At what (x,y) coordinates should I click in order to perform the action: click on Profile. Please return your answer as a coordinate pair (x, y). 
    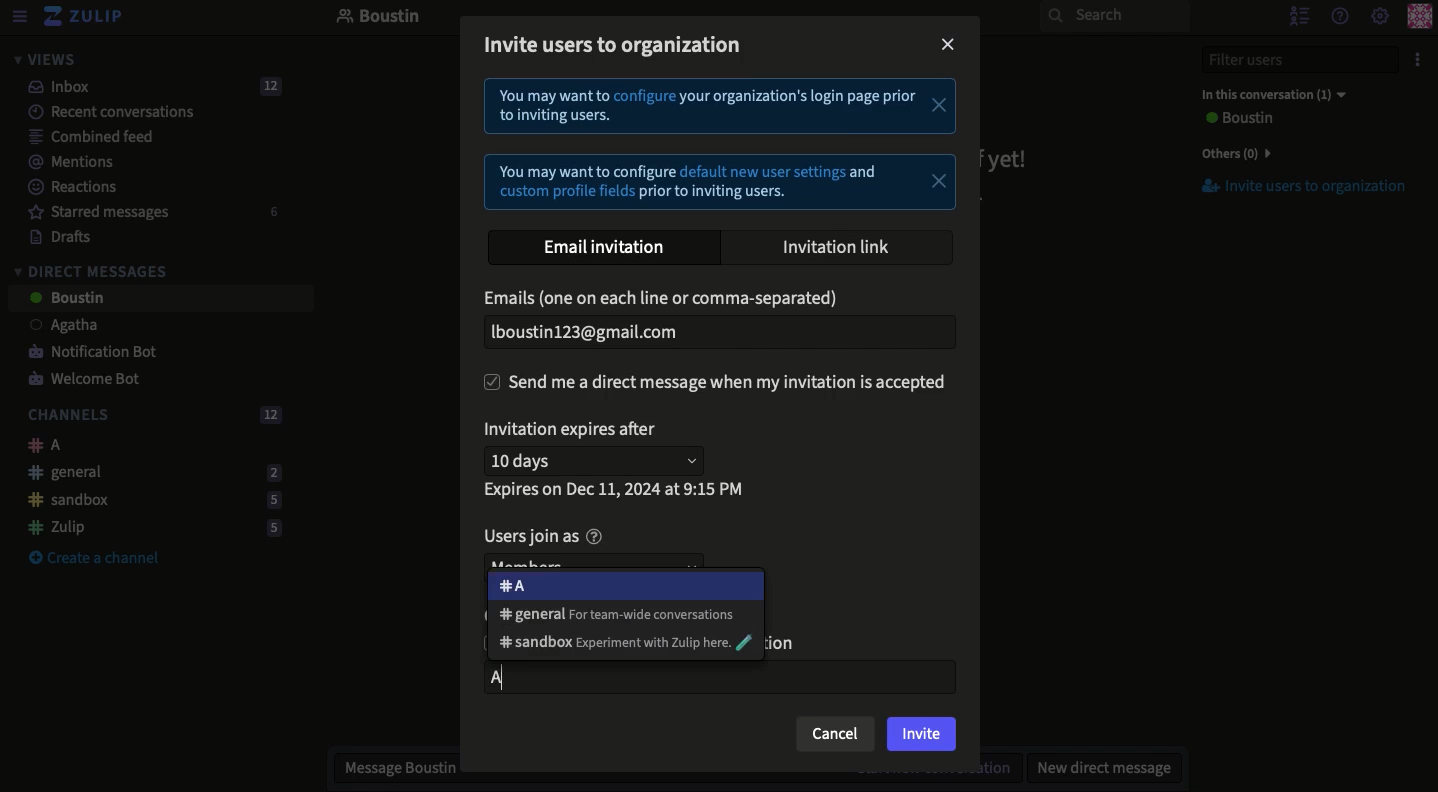
    Looking at the image, I should click on (1419, 18).